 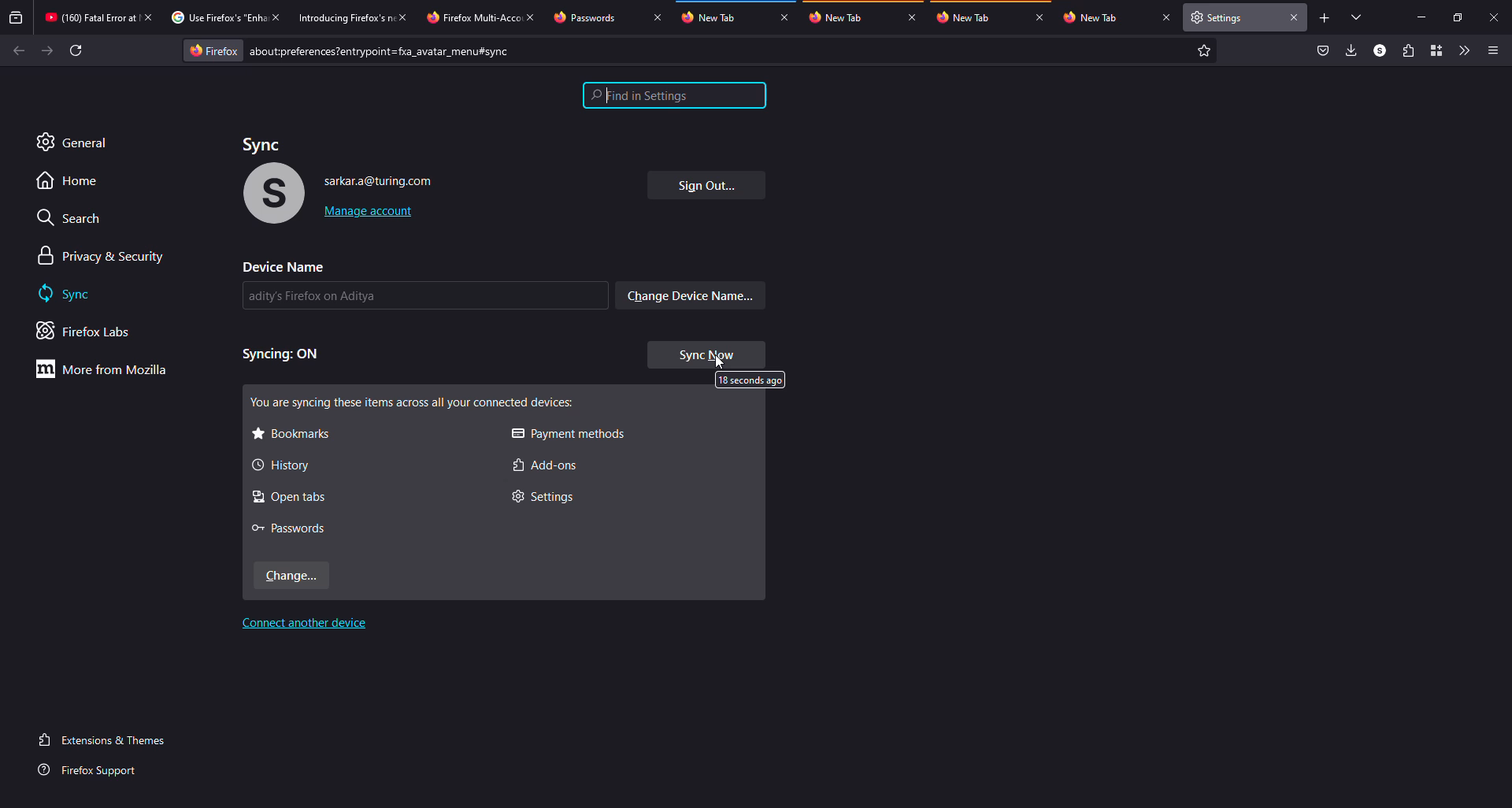 What do you see at coordinates (596, 18) in the screenshot?
I see `tab` at bounding box center [596, 18].